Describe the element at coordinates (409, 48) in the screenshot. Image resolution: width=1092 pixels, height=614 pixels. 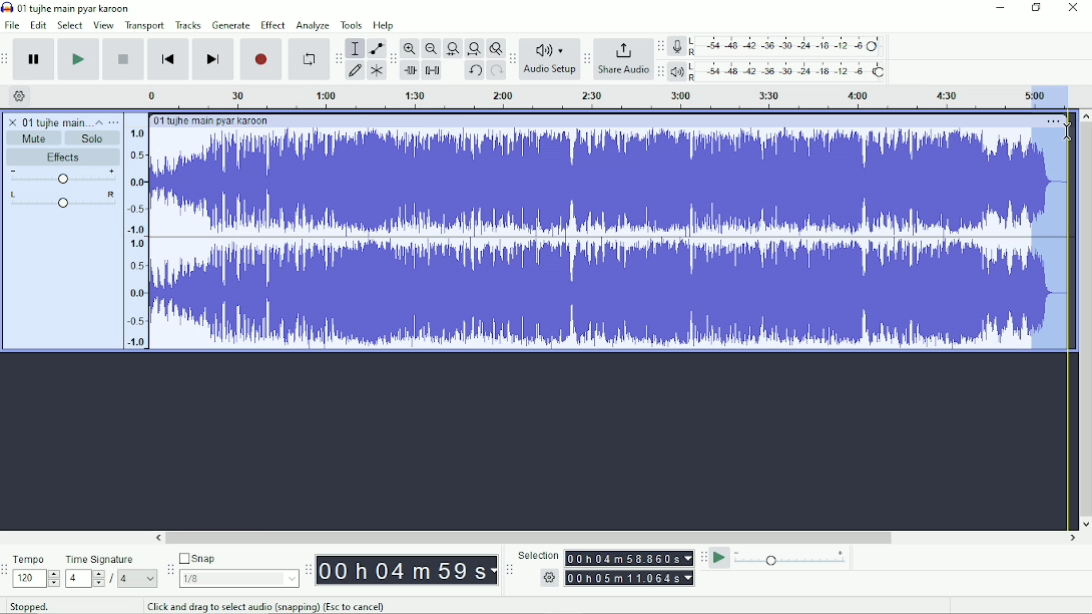
I see `Zoom In` at that location.